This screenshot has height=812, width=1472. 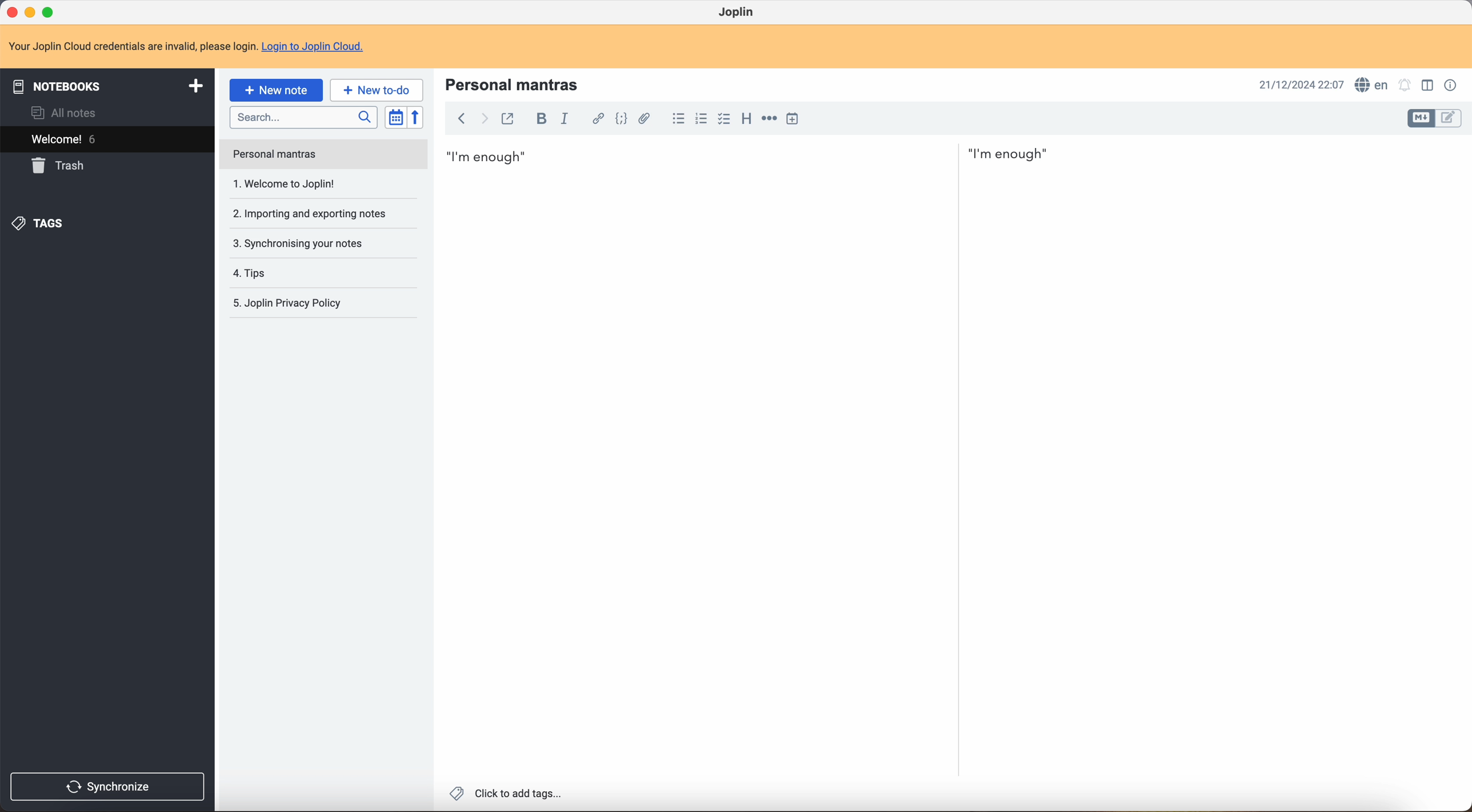 I want to click on reverse sort order, so click(x=416, y=118).